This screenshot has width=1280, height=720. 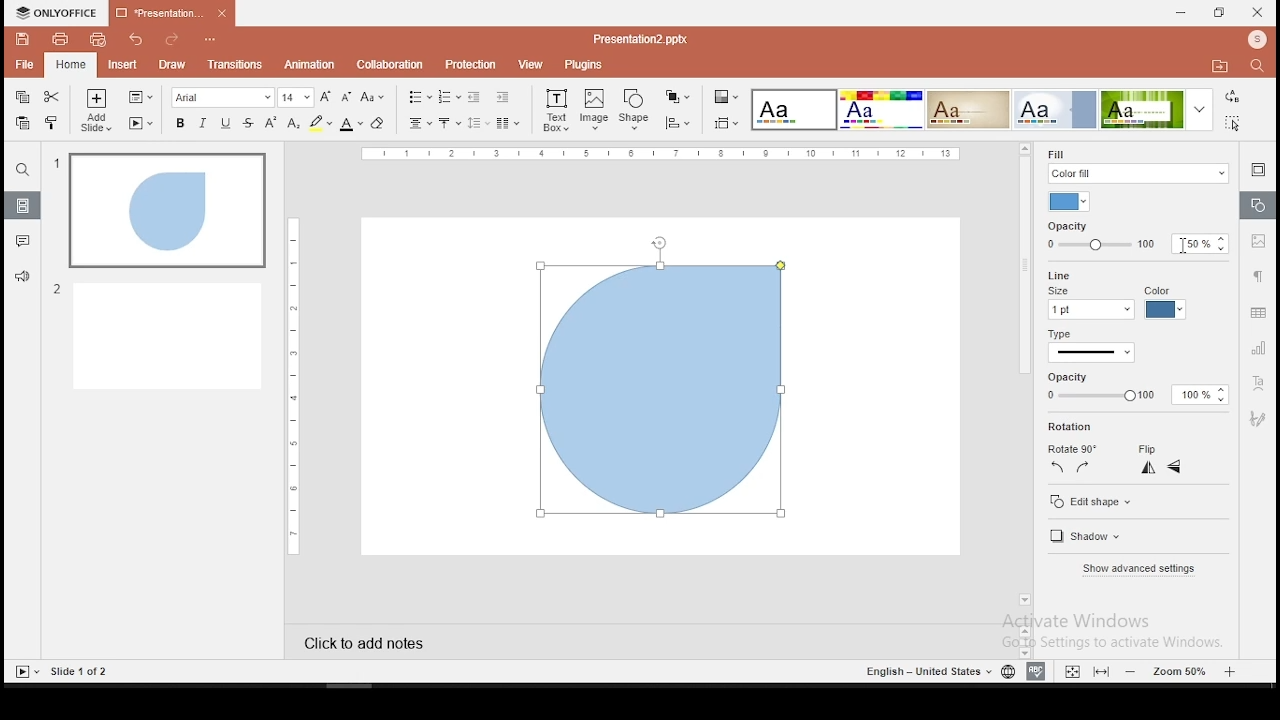 What do you see at coordinates (139, 97) in the screenshot?
I see `change slide layout` at bounding box center [139, 97].